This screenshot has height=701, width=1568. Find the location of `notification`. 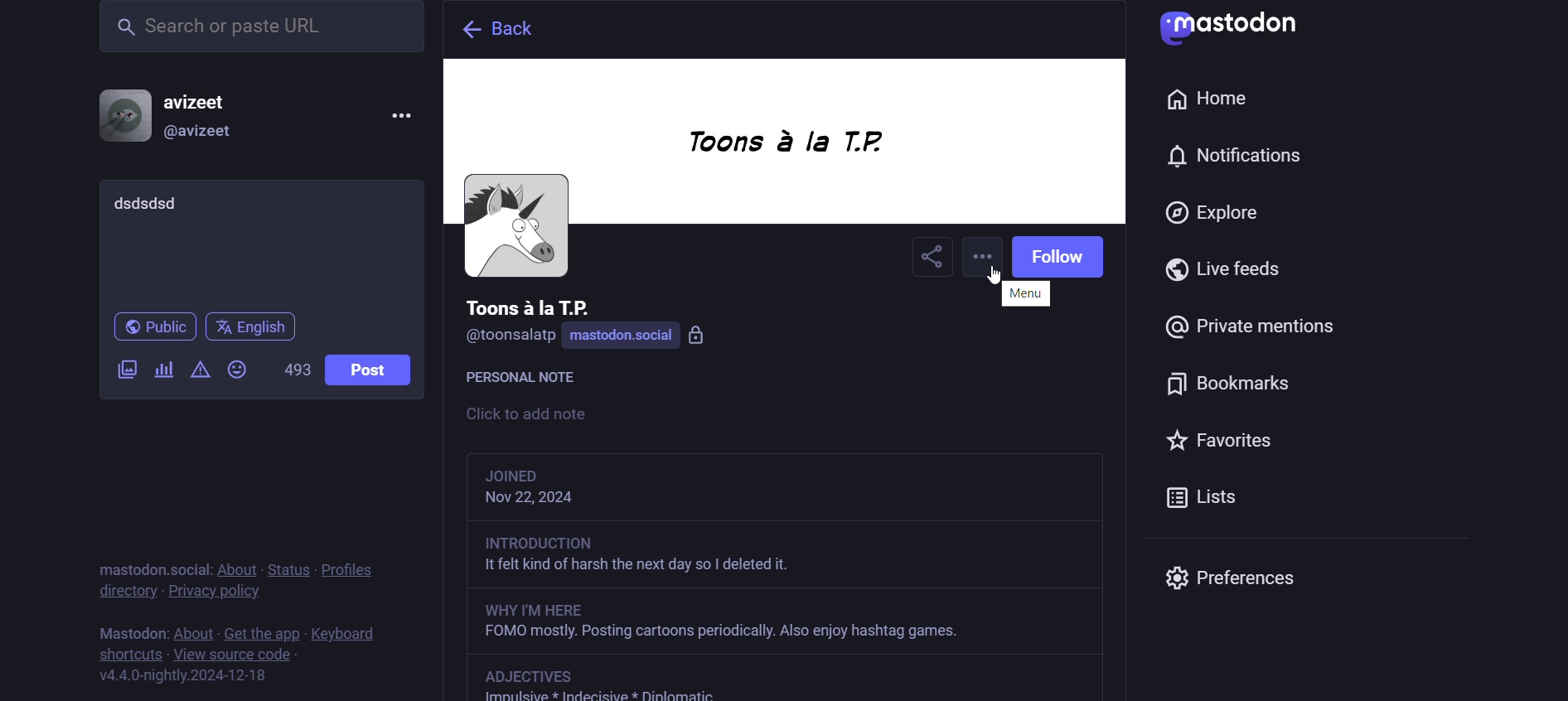

notification is located at coordinates (1228, 162).